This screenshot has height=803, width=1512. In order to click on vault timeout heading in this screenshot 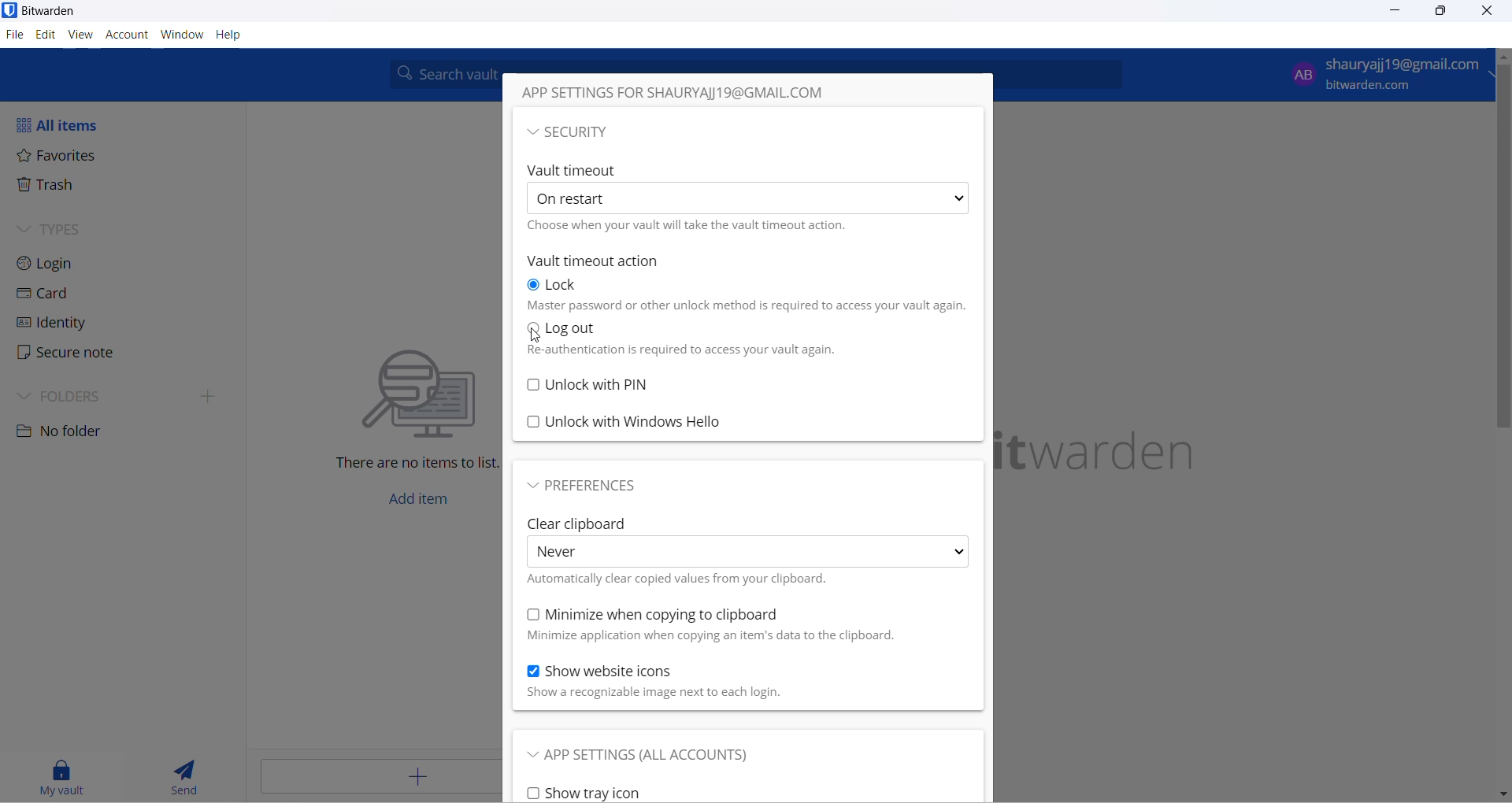, I will do `click(576, 170)`.